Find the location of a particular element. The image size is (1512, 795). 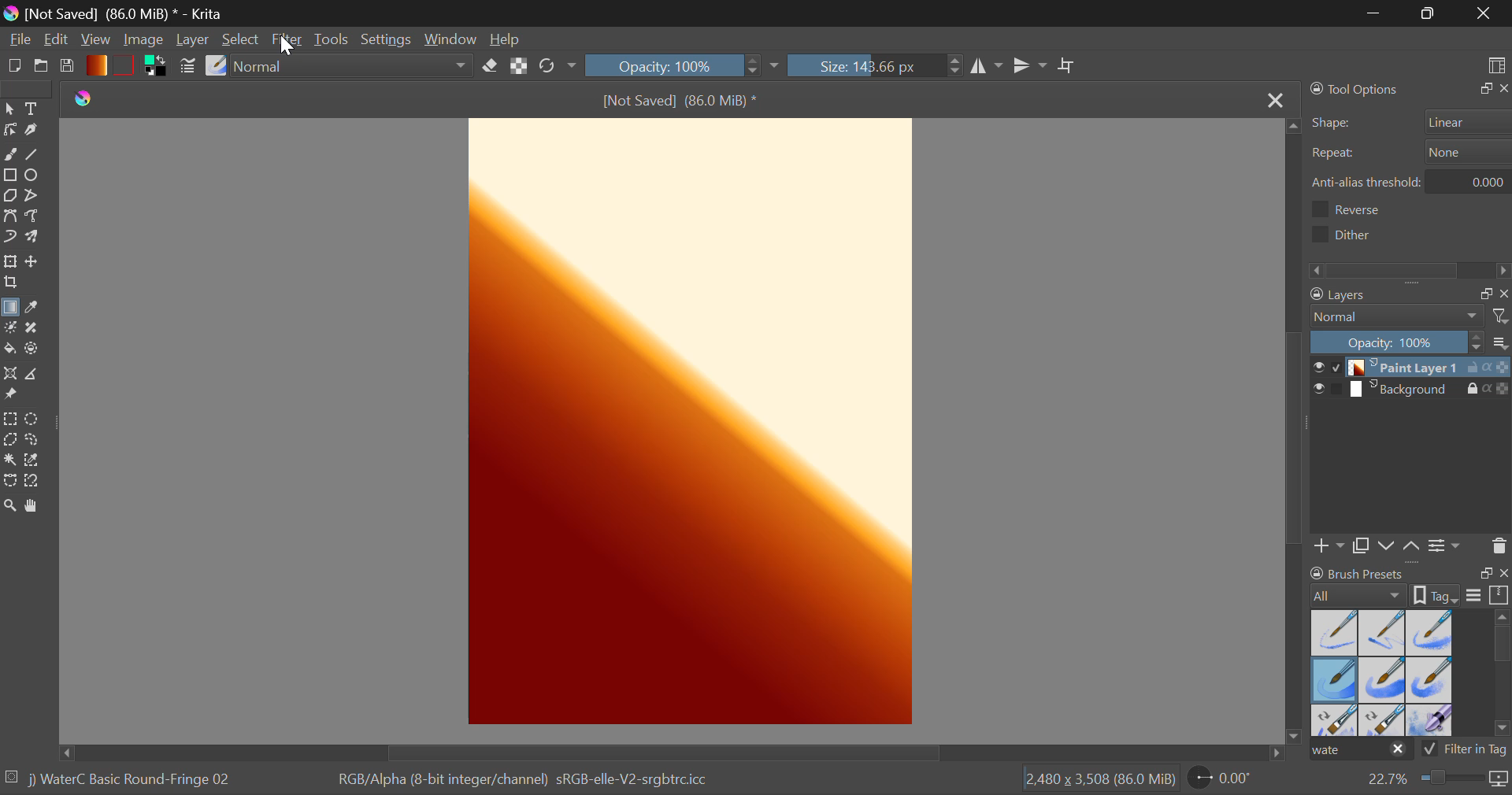

Gradient is located at coordinates (96, 65).